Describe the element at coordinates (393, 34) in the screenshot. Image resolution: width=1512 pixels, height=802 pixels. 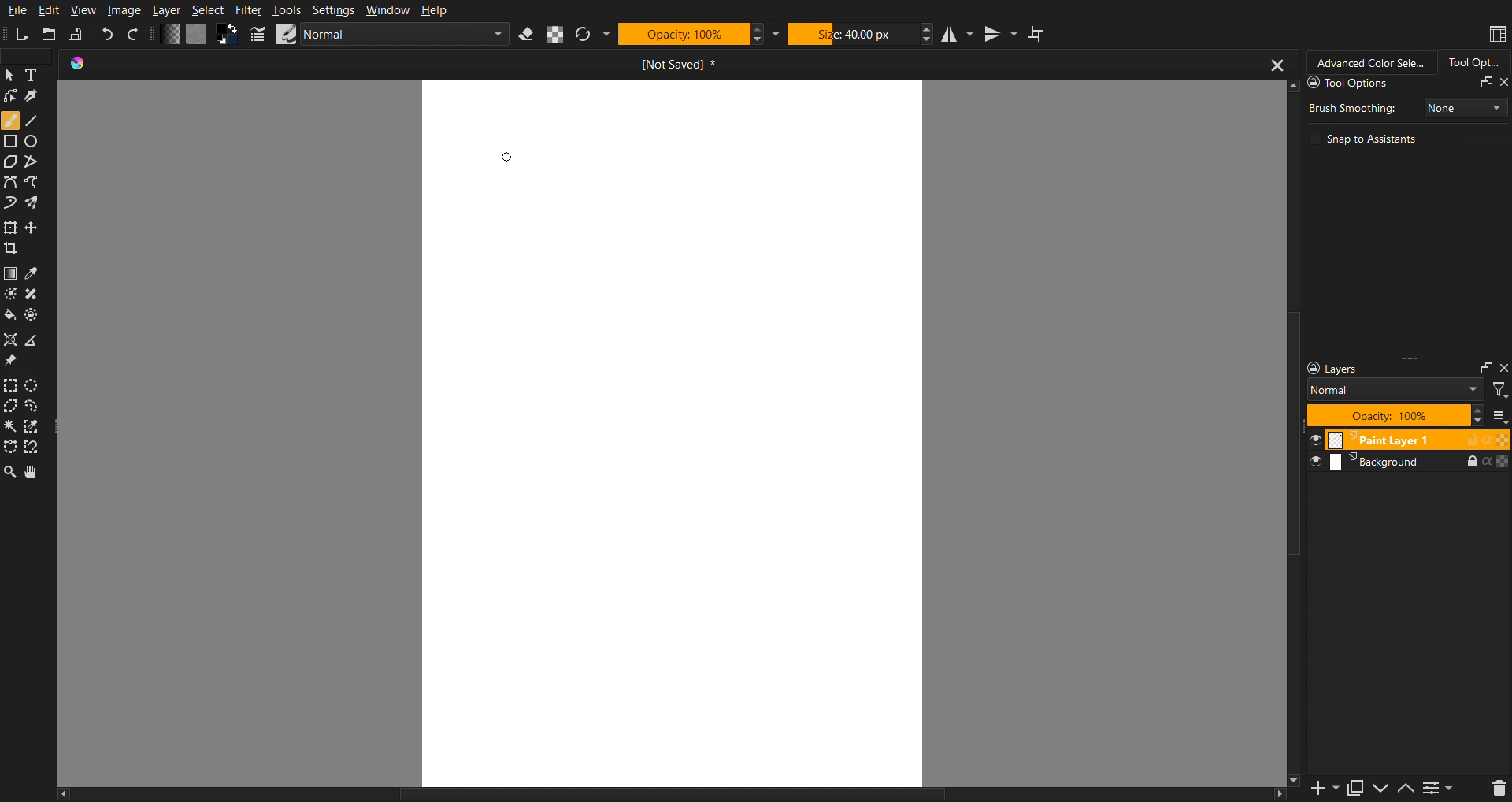
I see `Brush Settings` at that location.